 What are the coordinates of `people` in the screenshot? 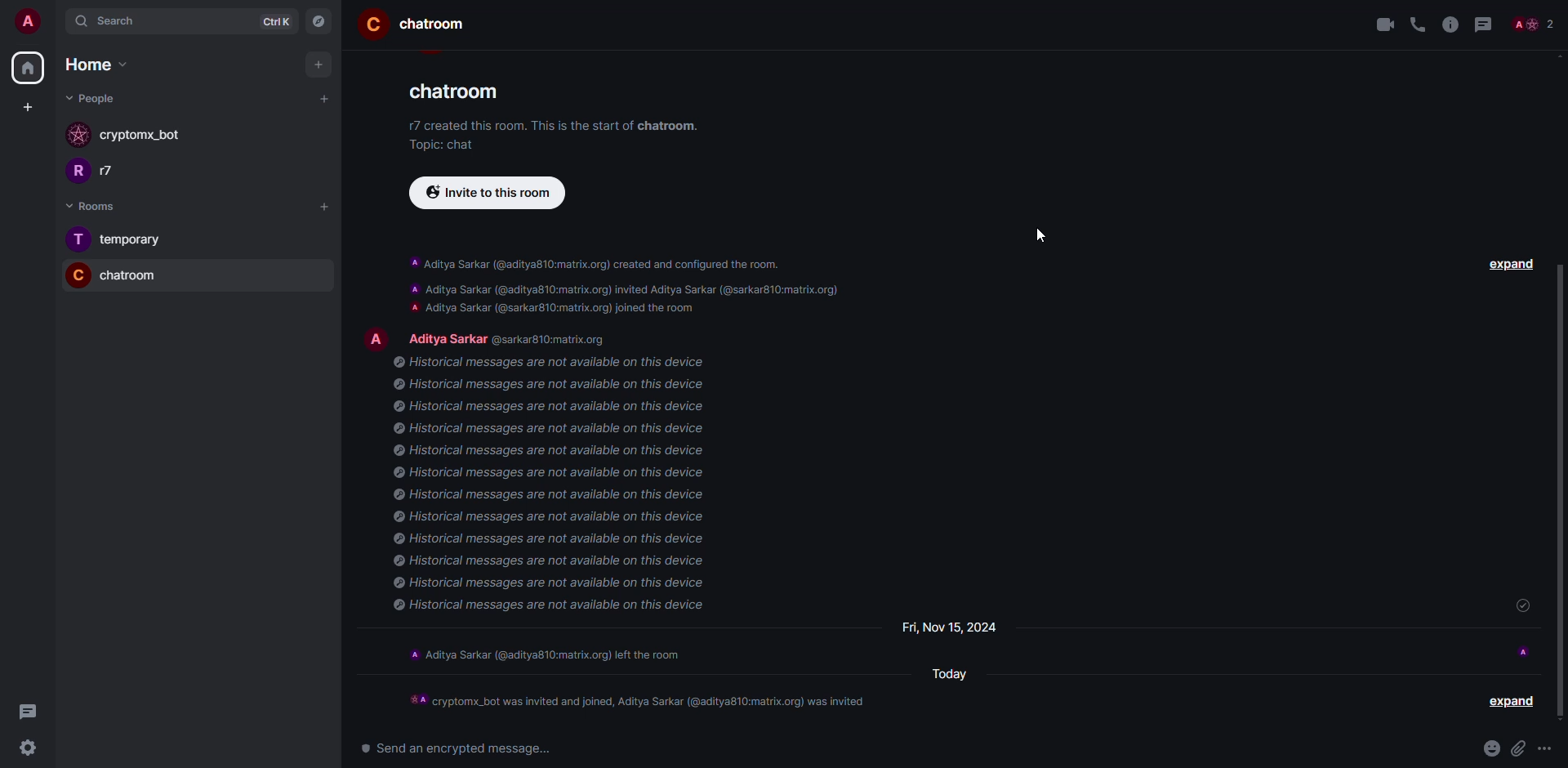 It's located at (445, 337).